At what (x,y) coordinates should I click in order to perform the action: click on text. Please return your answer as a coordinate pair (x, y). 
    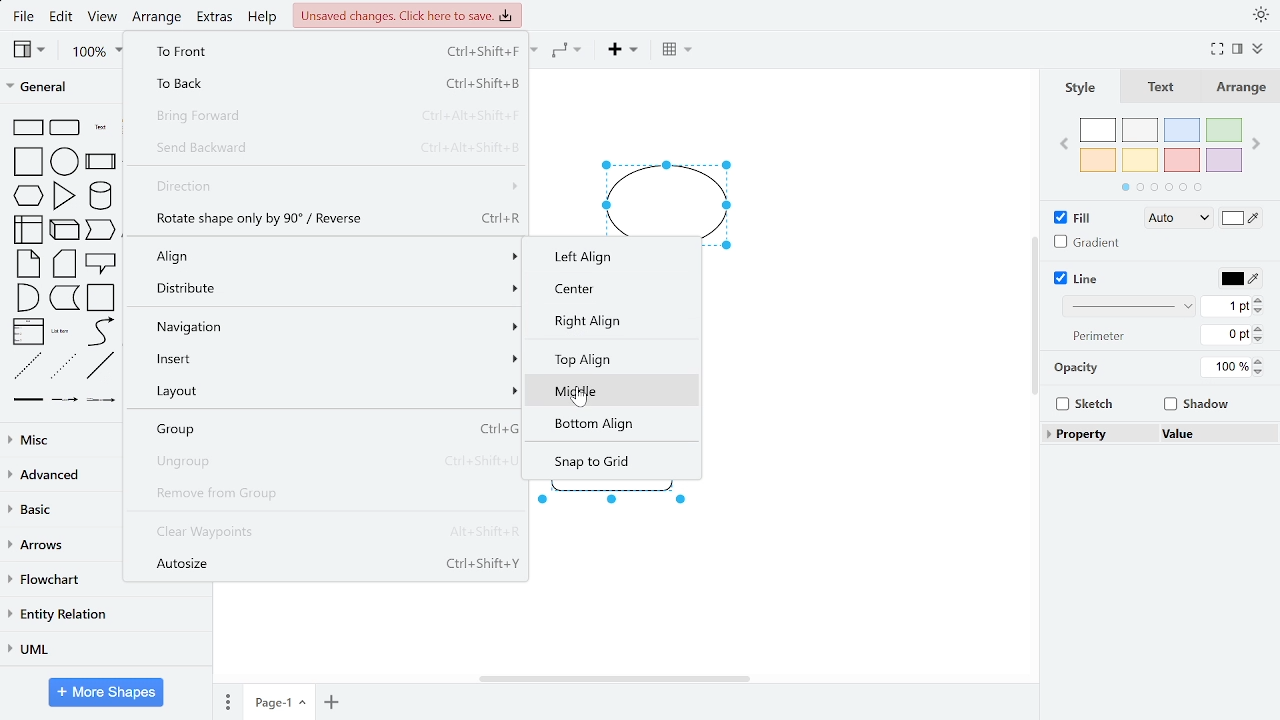
    Looking at the image, I should click on (101, 127).